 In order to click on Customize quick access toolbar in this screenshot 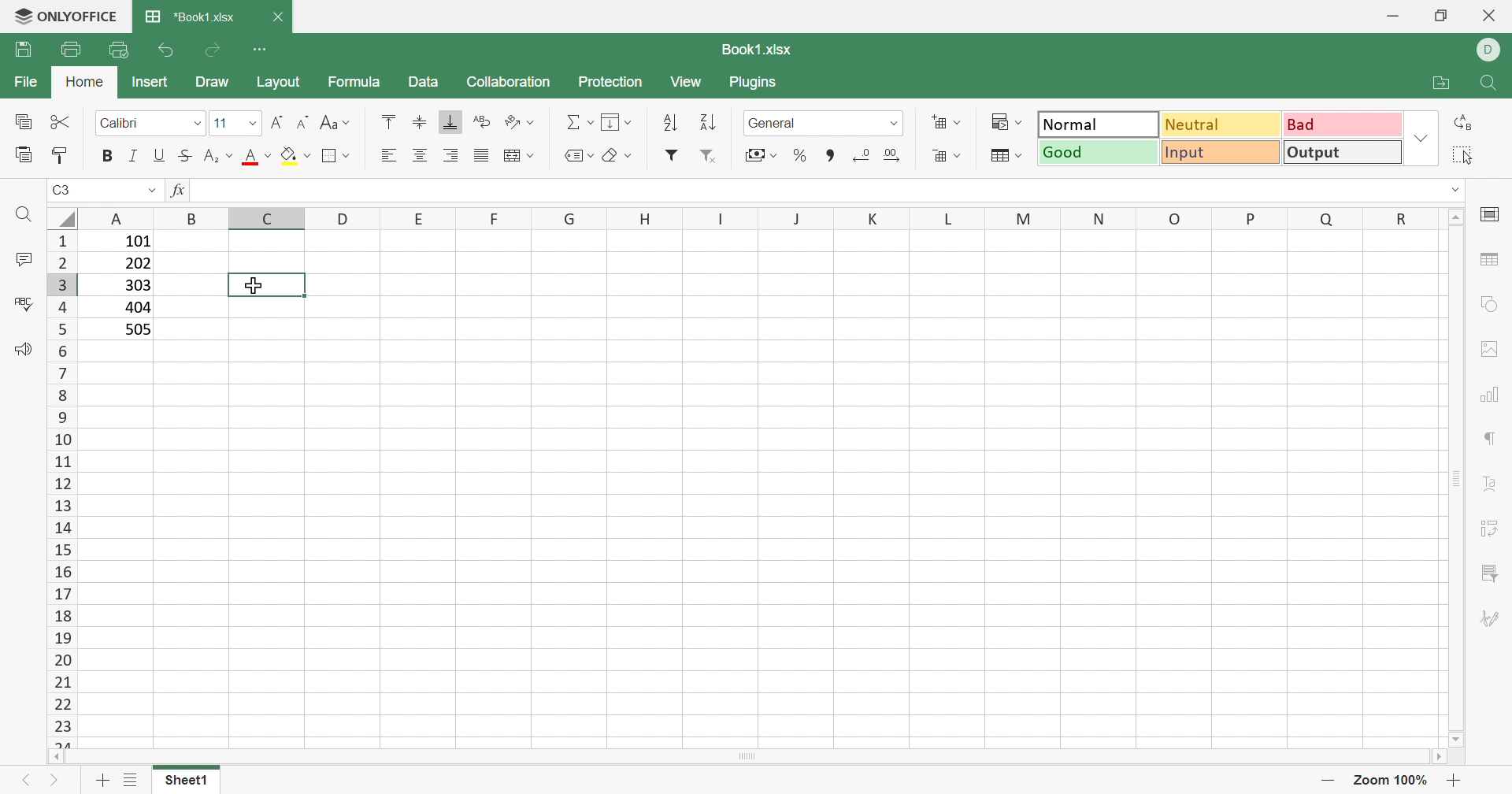, I will do `click(268, 50)`.